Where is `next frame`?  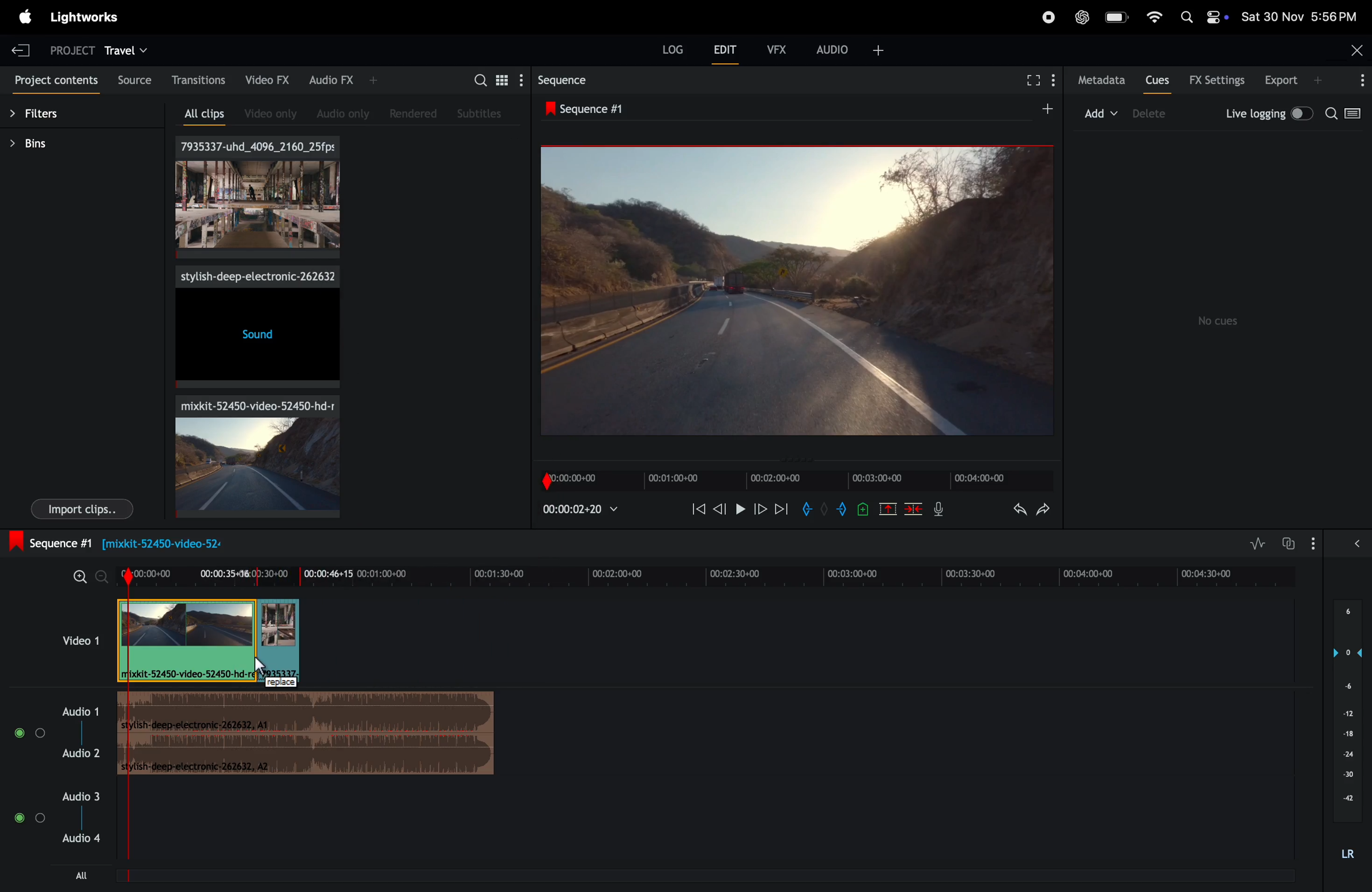
next frame is located at coordinates (782, 512).